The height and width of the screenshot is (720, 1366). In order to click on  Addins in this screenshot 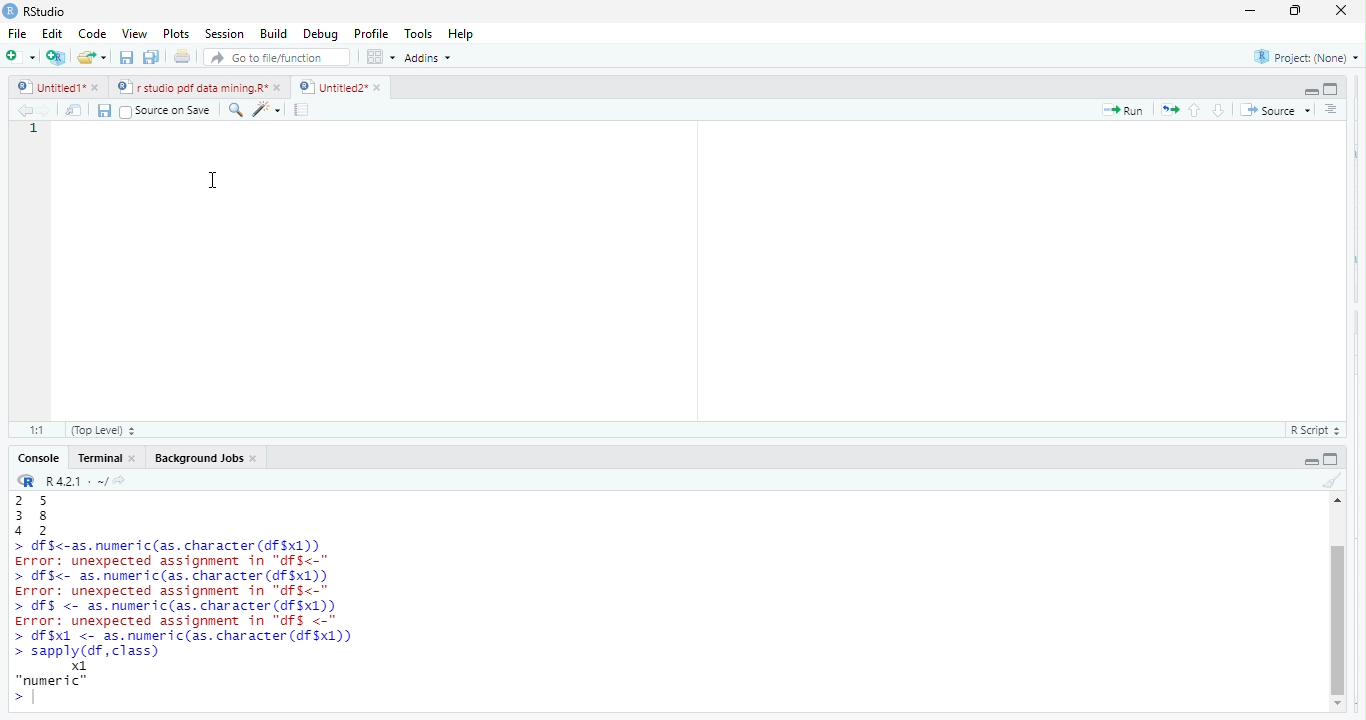, I will do `click(432, 58)`.